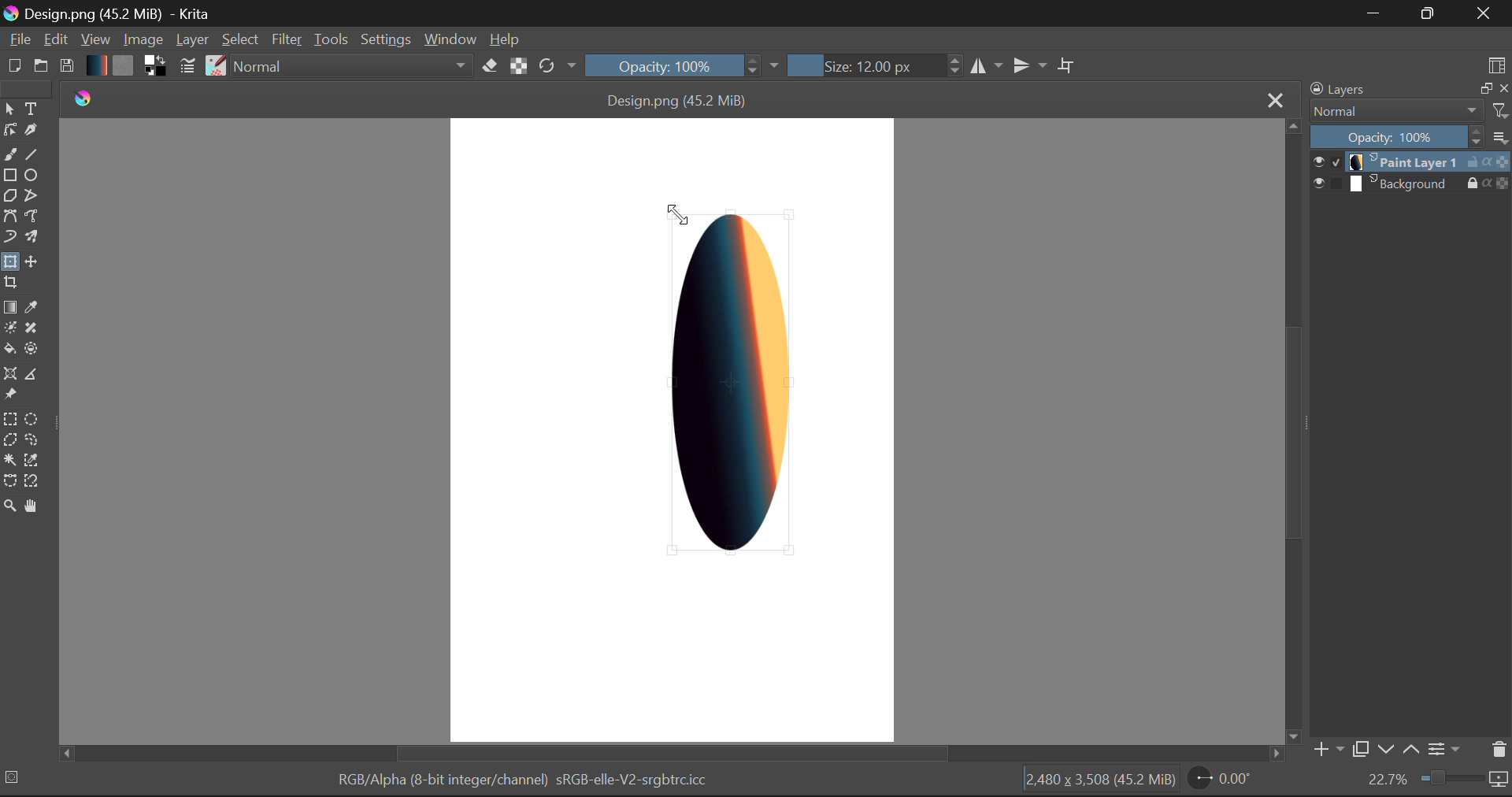 The width and height of the screenshot is (1512, 797). What do you see at coordinates (123, 66) in the screenshot?
I see `Pattern` at bounding box center [123, 66].